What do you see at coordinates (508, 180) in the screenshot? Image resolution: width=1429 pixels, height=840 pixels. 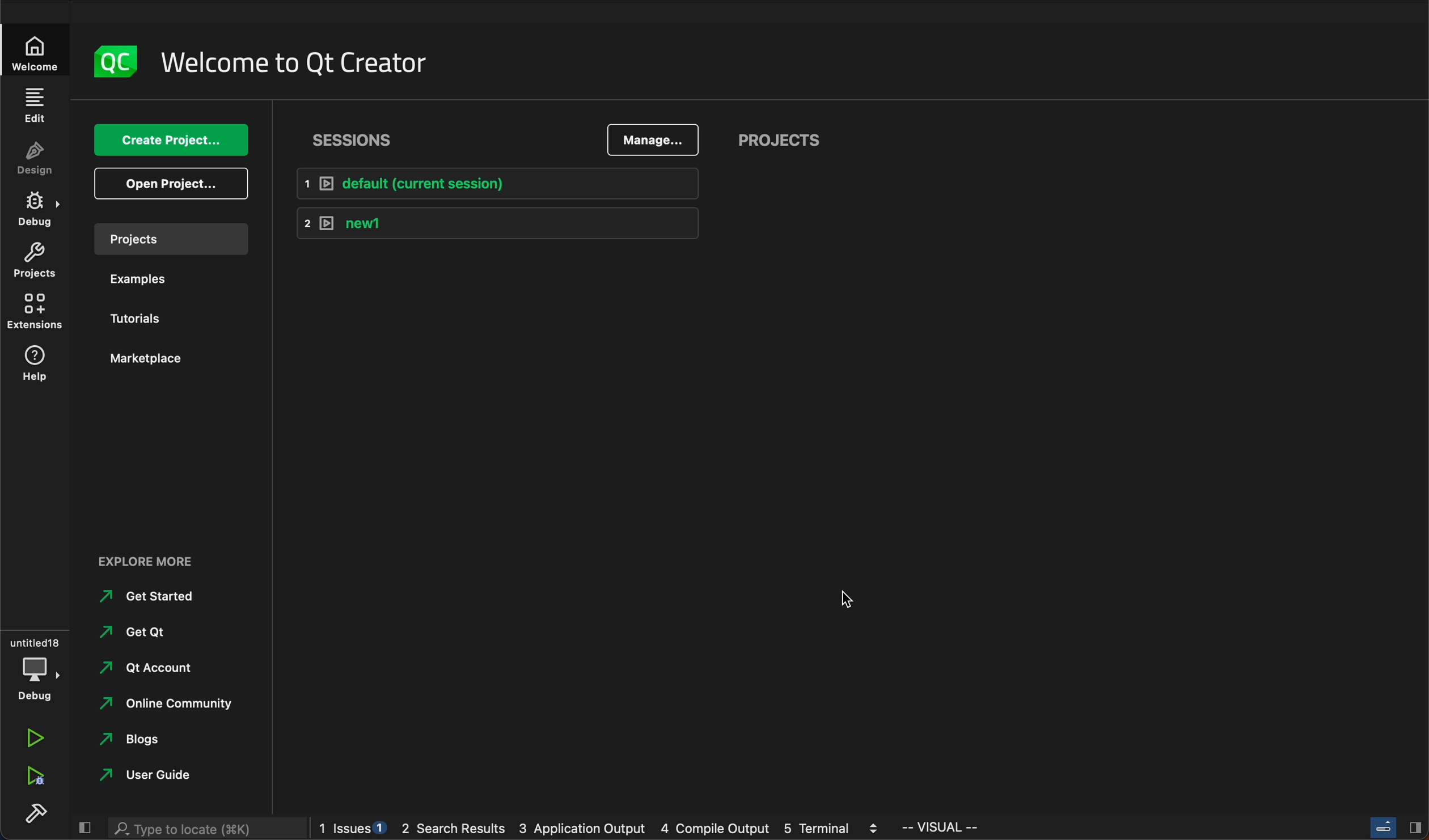 I see `default` at bounding box center [508, 180].